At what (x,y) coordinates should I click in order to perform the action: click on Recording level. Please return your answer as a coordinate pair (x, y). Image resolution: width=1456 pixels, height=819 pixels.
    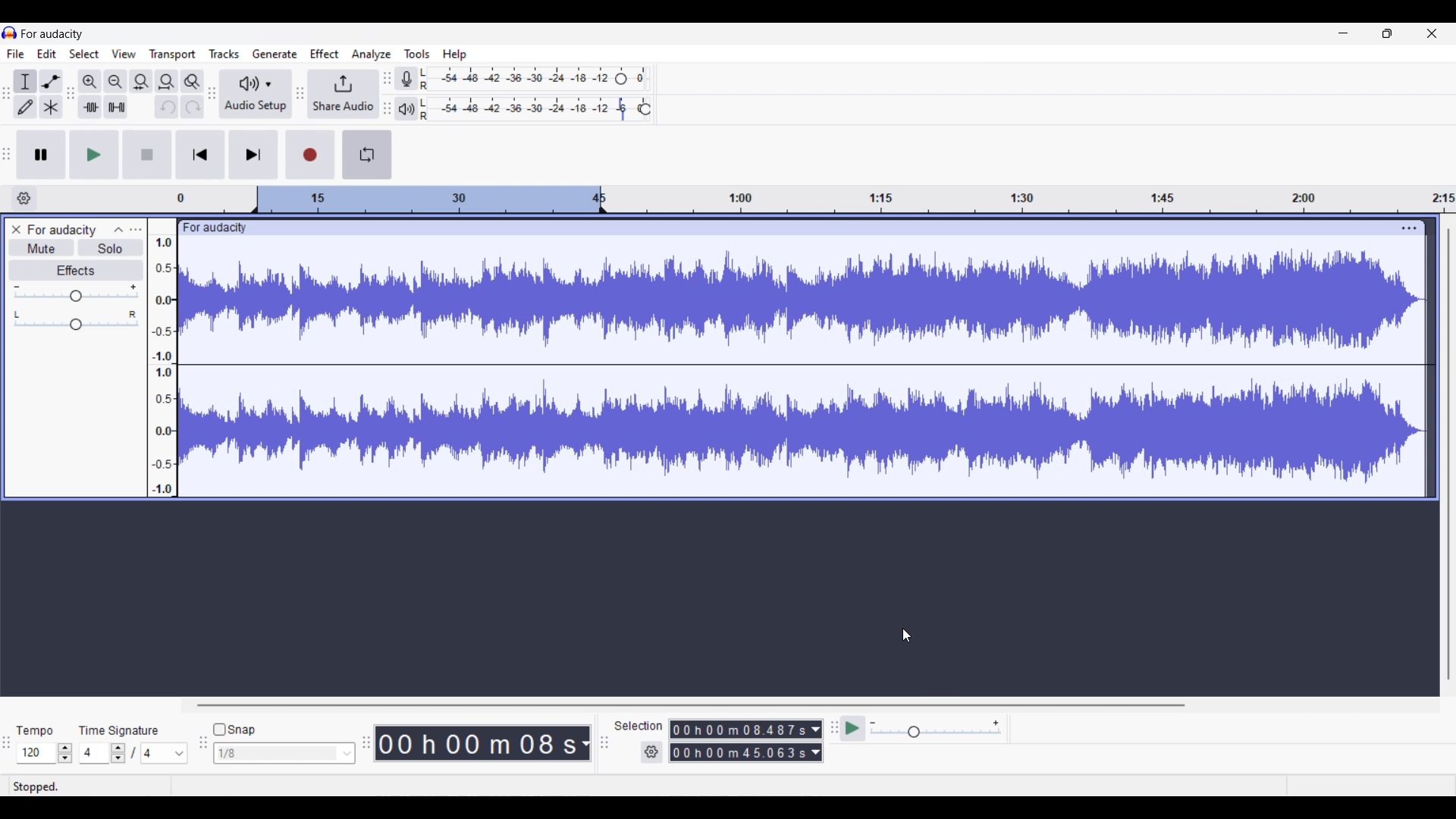
    Looking at the image, I should click on (516, 79).